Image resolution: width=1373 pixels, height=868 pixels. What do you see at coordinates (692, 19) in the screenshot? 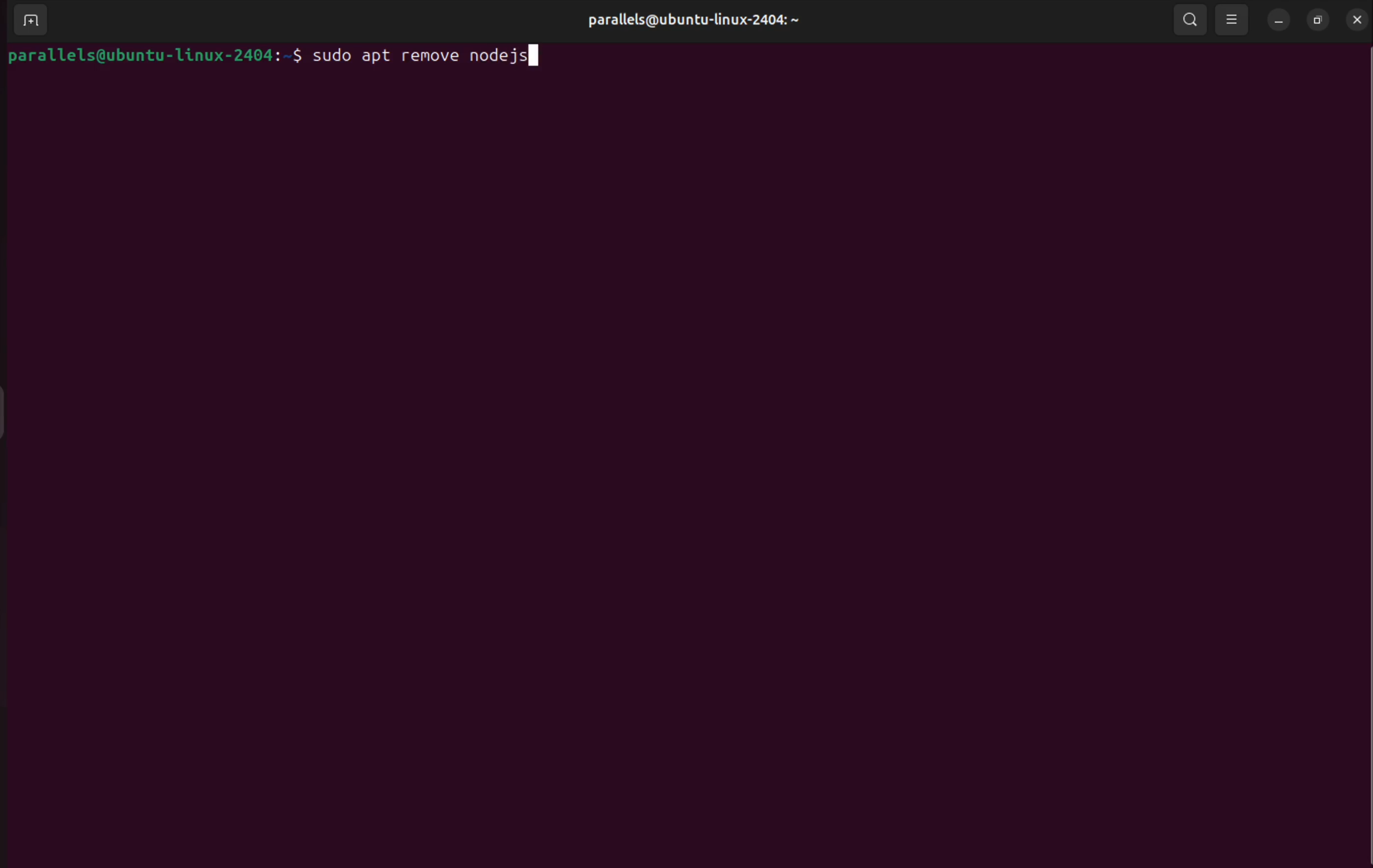
I see `parallels@ubuntu-linux-2404: ~` at bounding box center [692, 19].